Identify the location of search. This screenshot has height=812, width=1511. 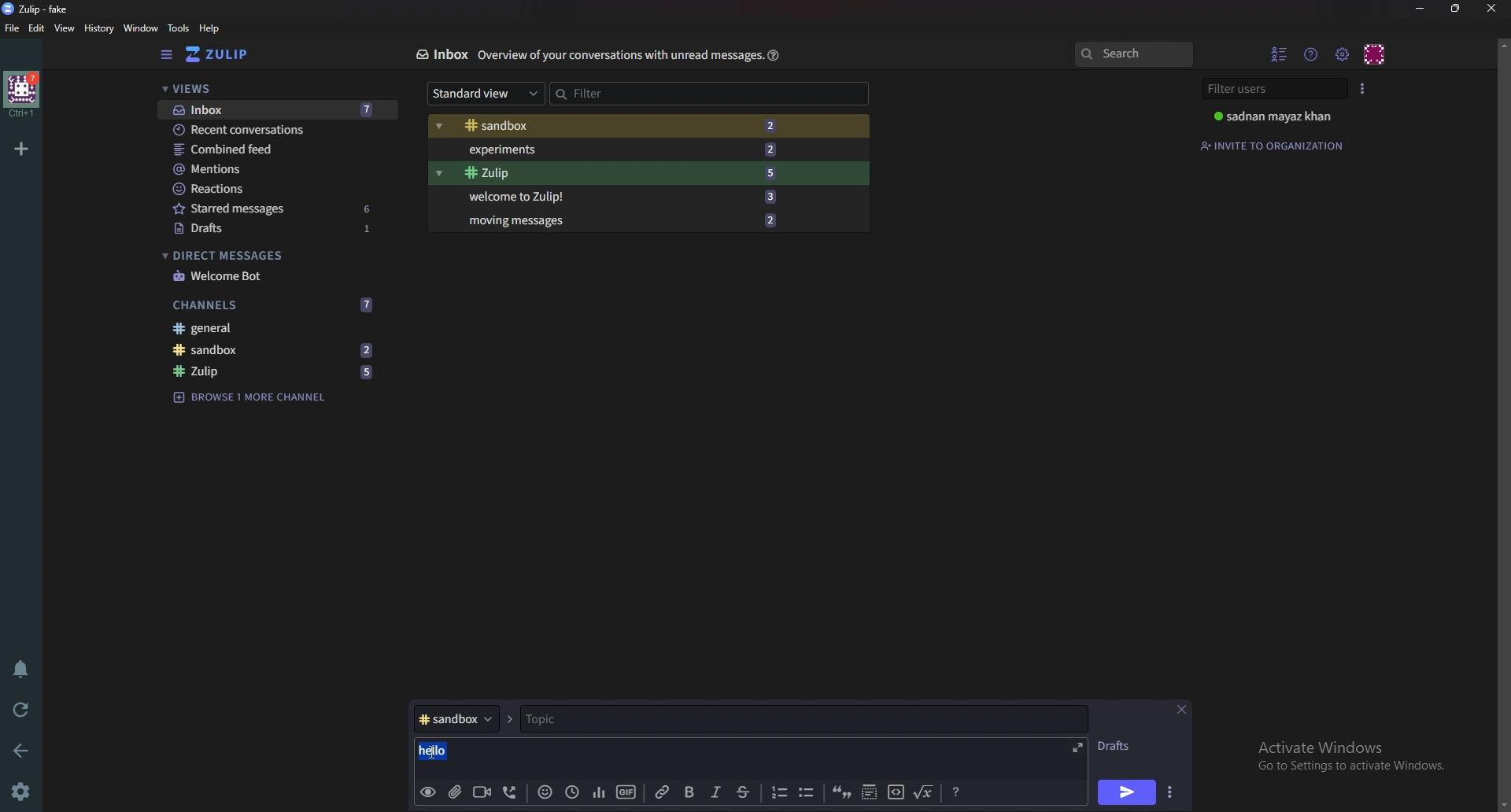
(1132, 53).